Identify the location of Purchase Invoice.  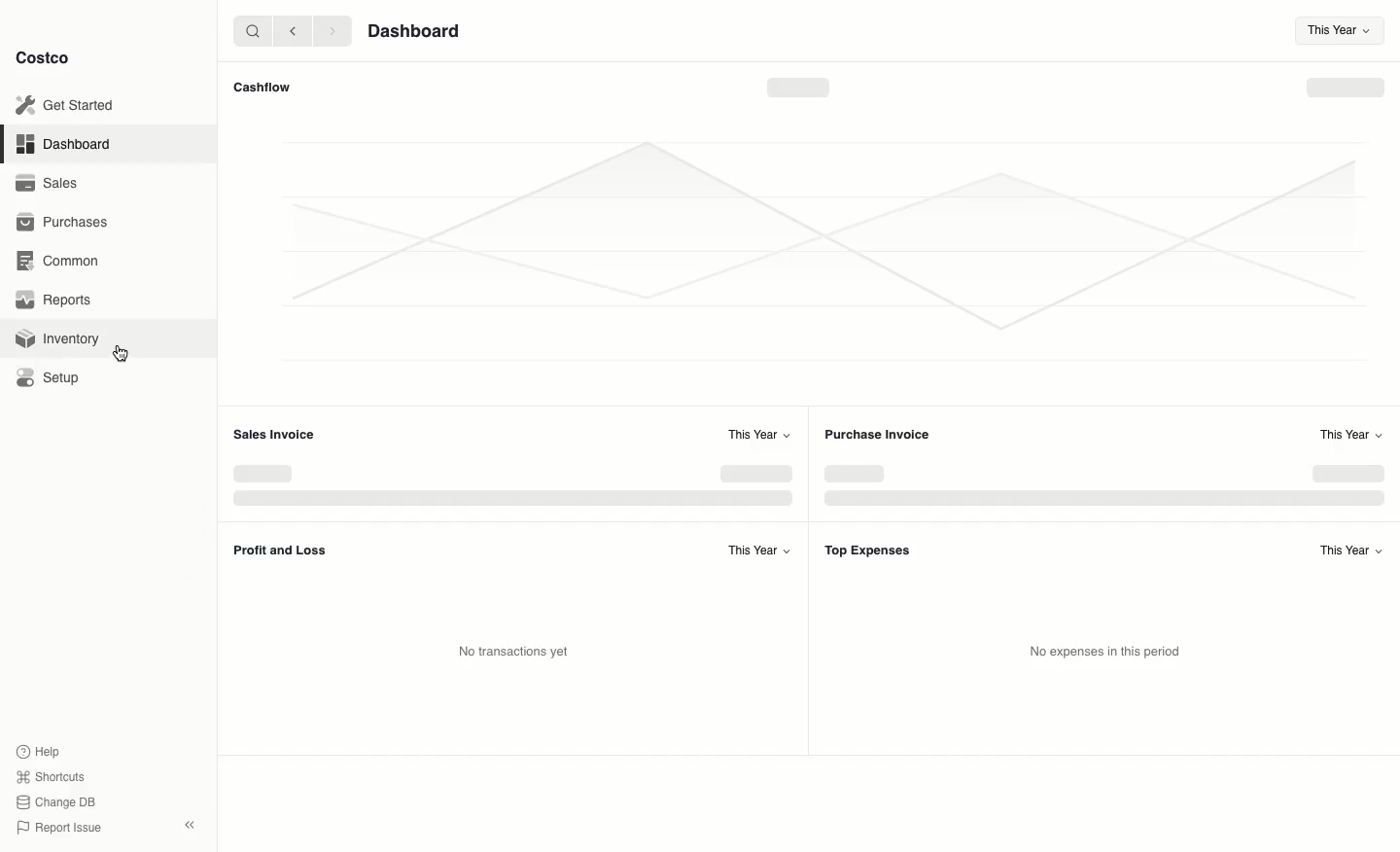
(875, 436).